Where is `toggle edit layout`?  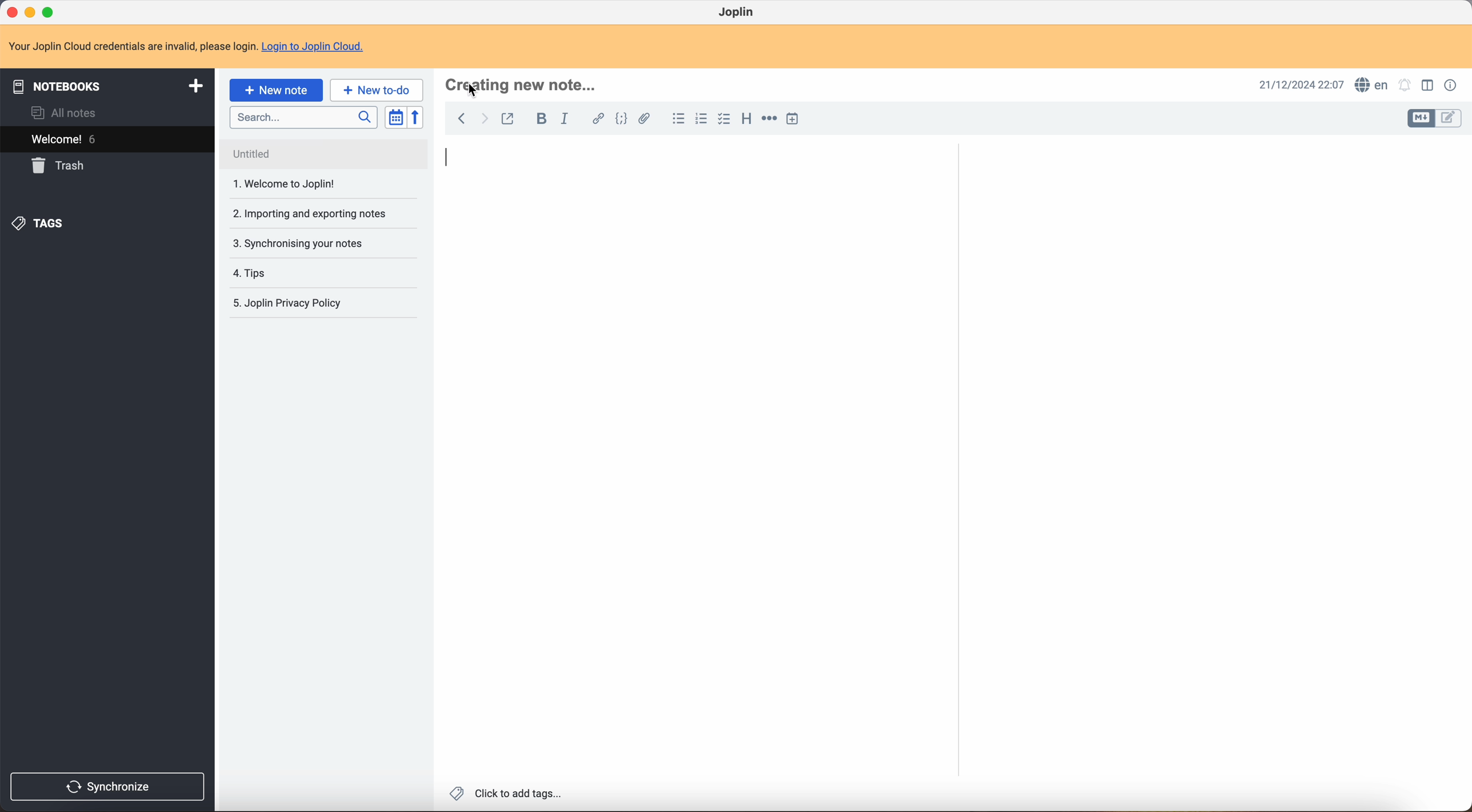 toggle edit layout is located at coordinates (1422, 119).